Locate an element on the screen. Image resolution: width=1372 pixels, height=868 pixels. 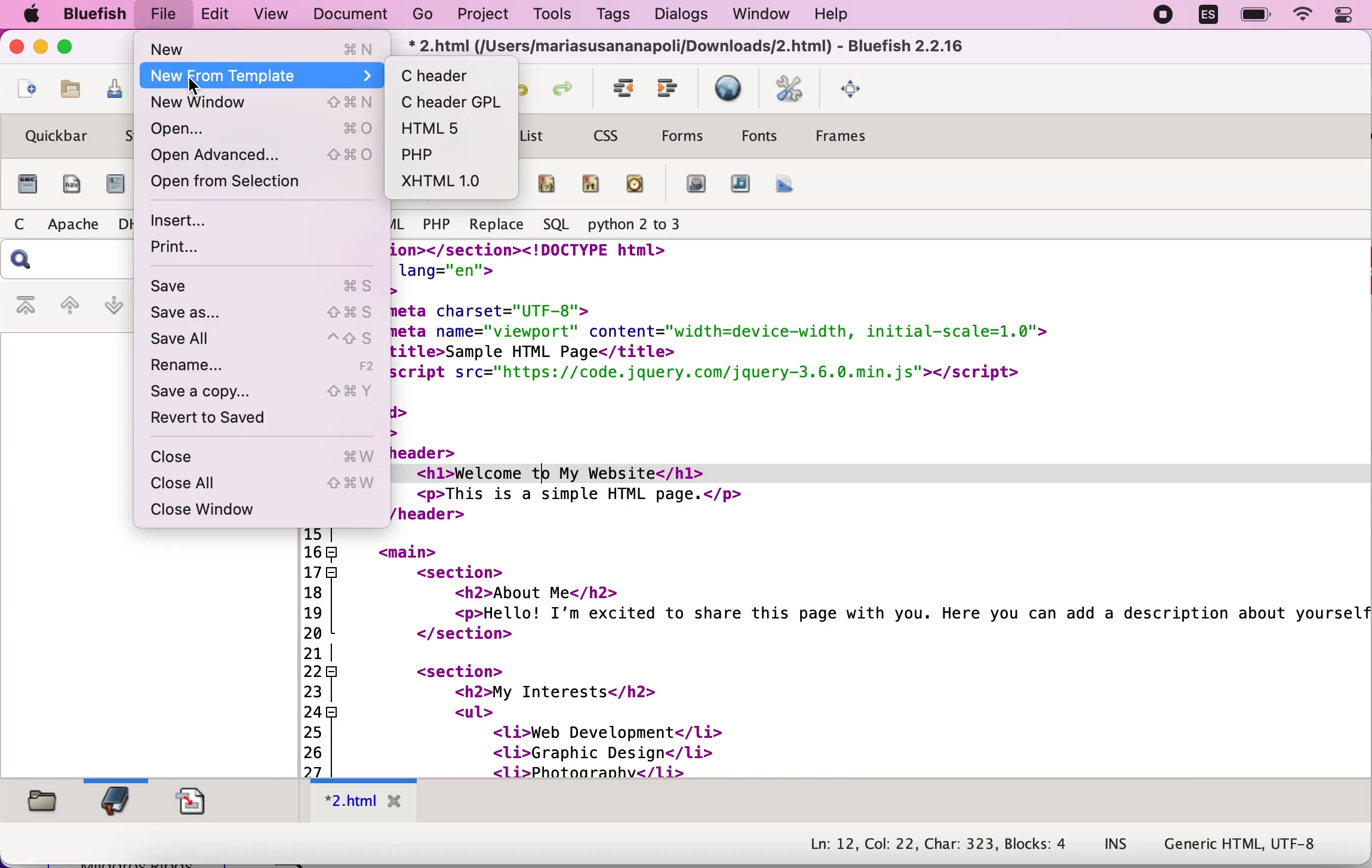
edit preferences is located at coordinates (790, 85).